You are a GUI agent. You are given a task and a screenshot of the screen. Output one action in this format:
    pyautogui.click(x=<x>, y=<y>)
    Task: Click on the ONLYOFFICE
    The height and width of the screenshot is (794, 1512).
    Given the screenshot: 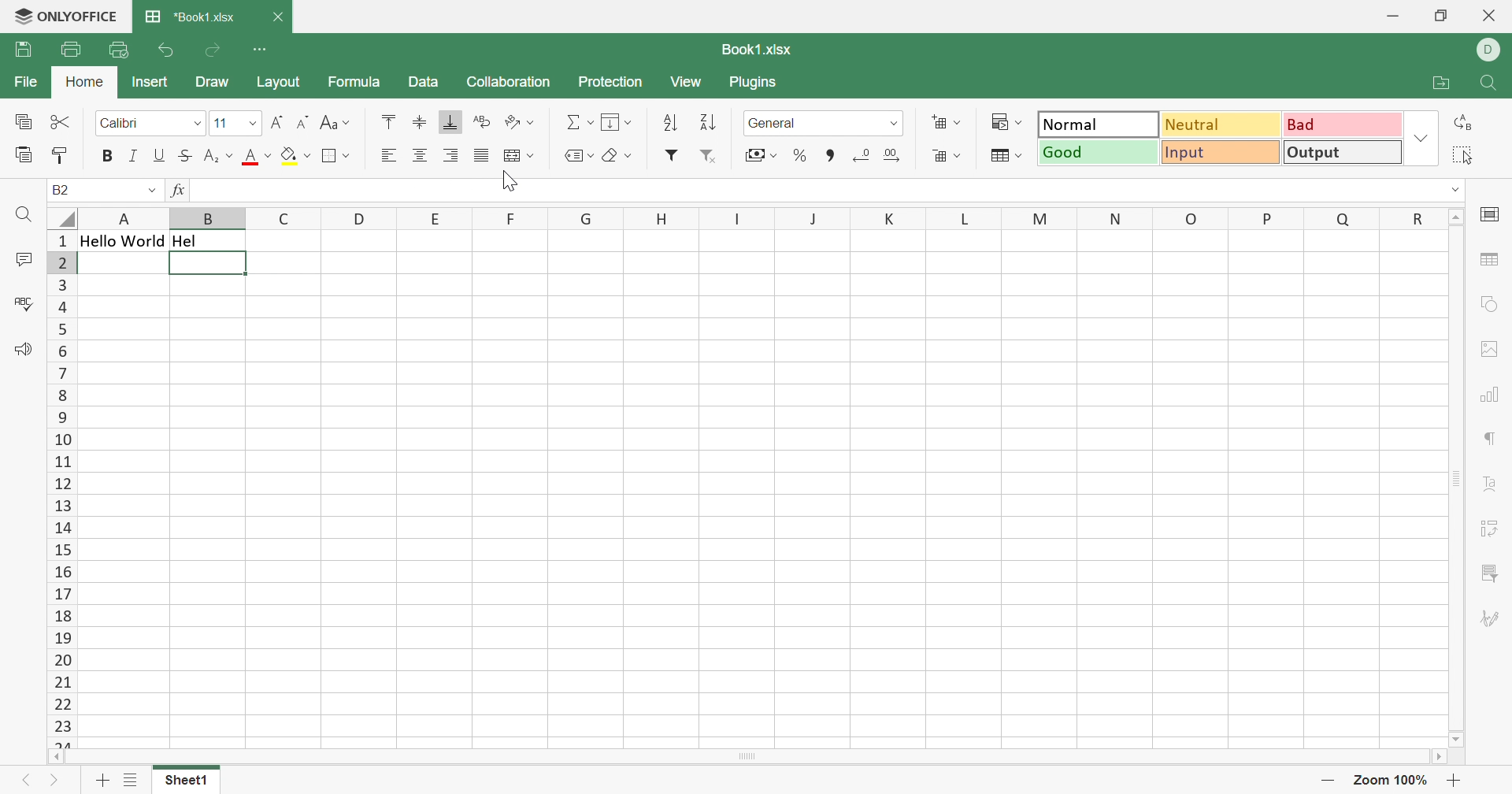 What is the action you would take?
    pyautogui.click(x=65, y=15)
    